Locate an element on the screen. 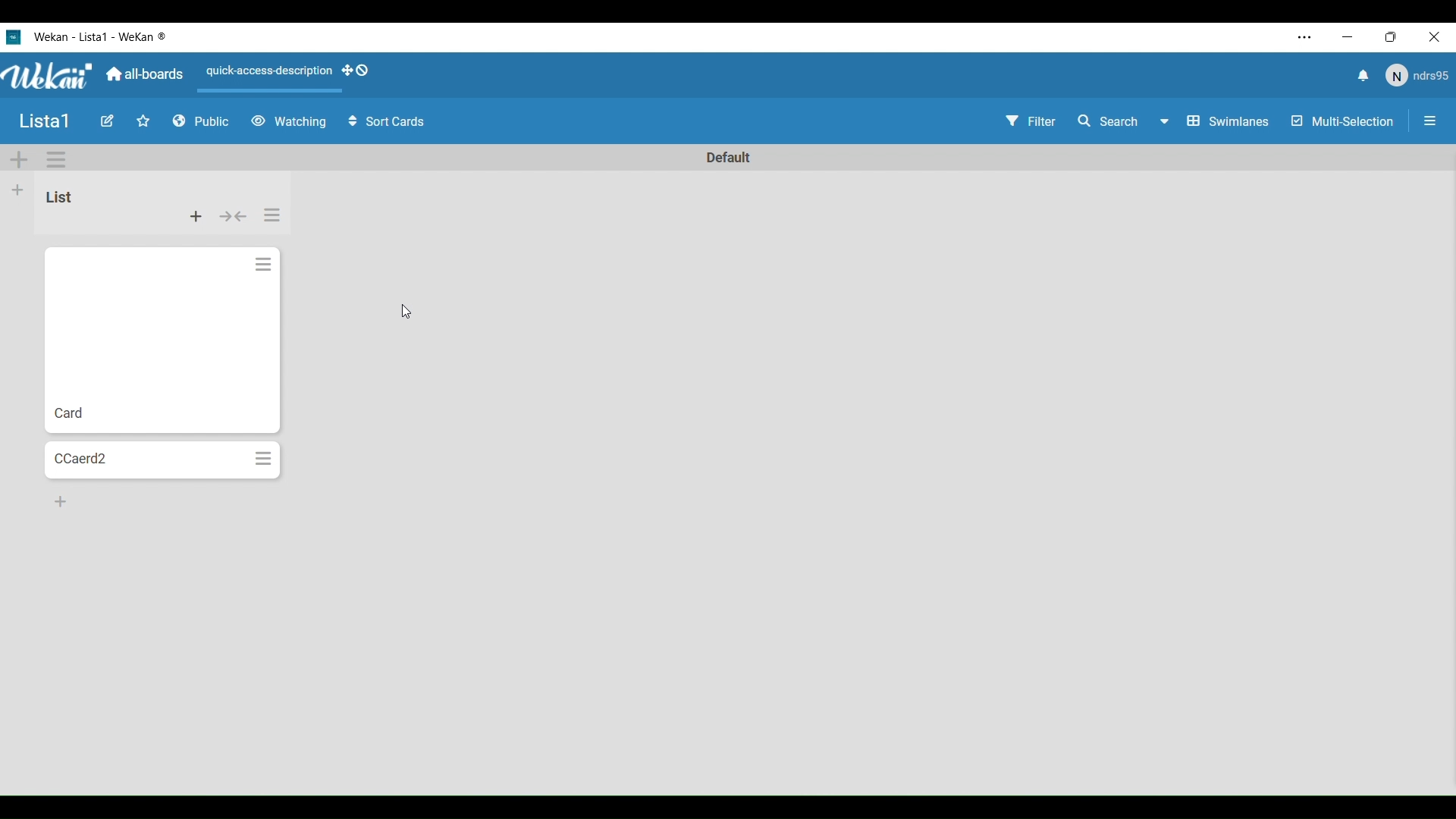 The height and width of the screenshot is (819, 1456). List is located at coordinates (58, 196).